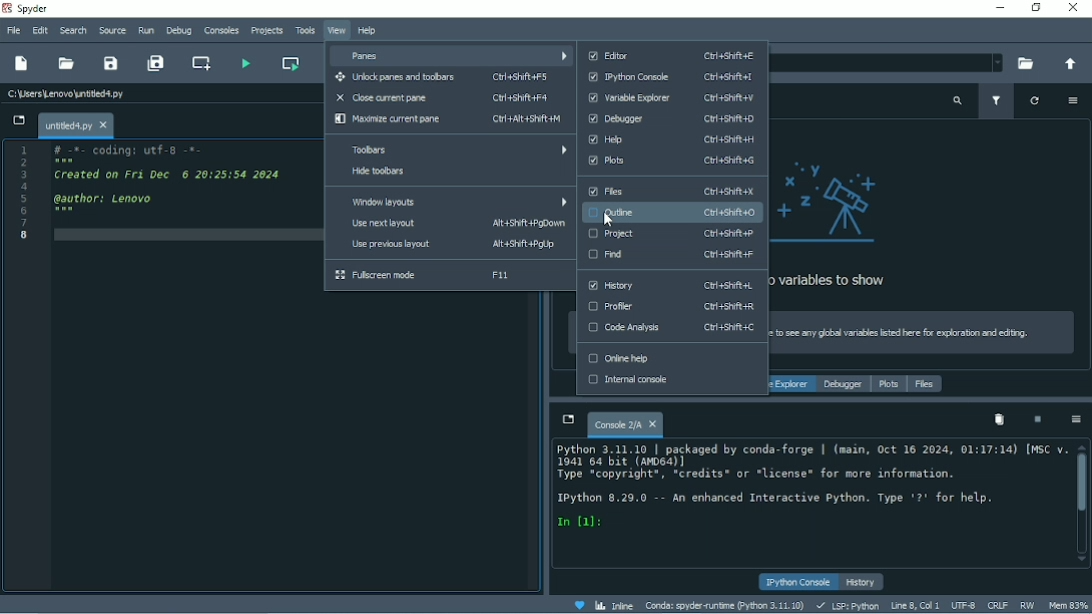 This screenshot has width=1092, height=614. What do you see at coordinates (862, 582) in the screenshot?
I see `History` at bounding box center [862, 582].